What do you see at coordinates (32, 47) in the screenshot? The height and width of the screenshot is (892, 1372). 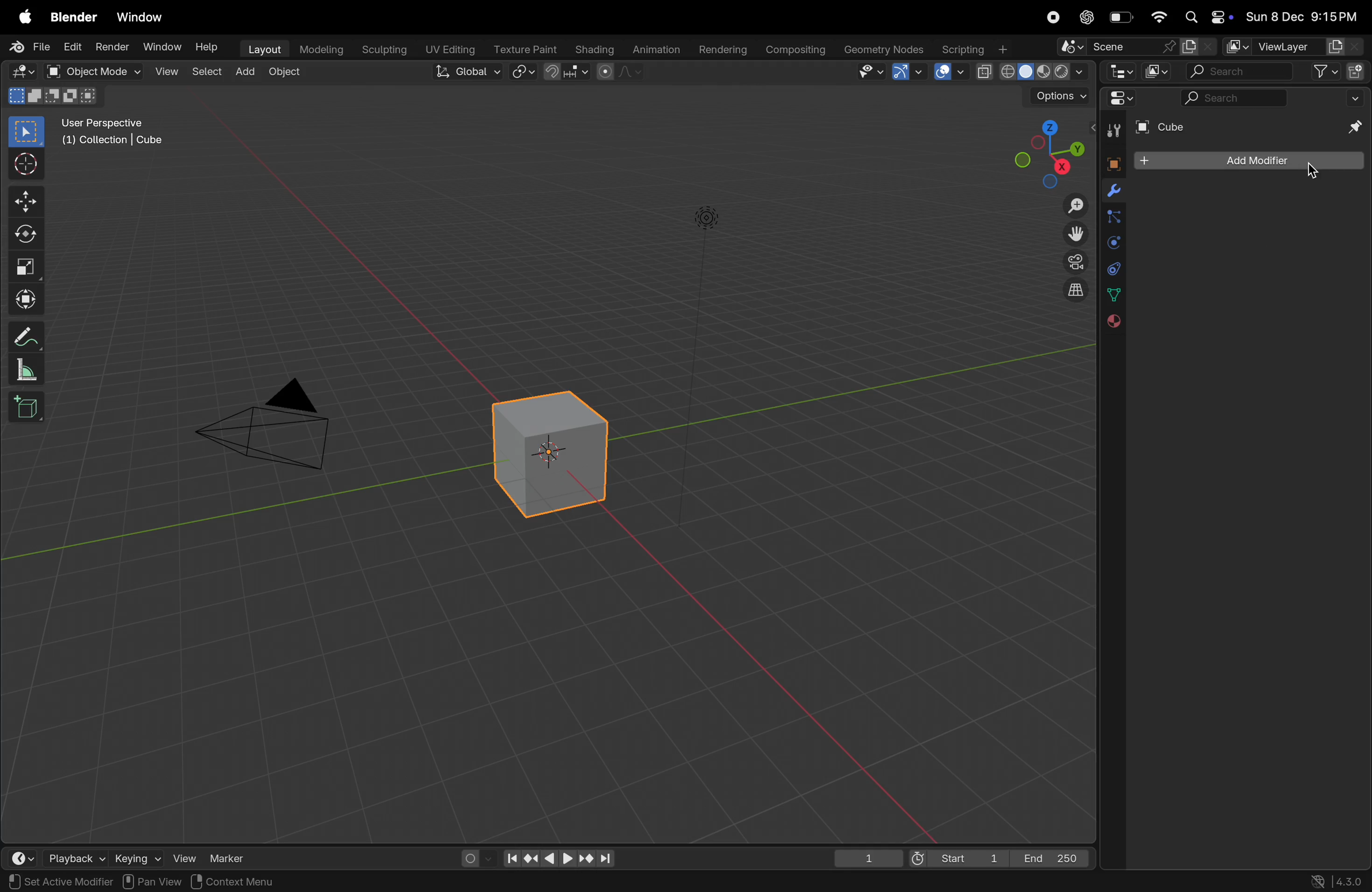 I see `file` at bounding box center [32, 47].